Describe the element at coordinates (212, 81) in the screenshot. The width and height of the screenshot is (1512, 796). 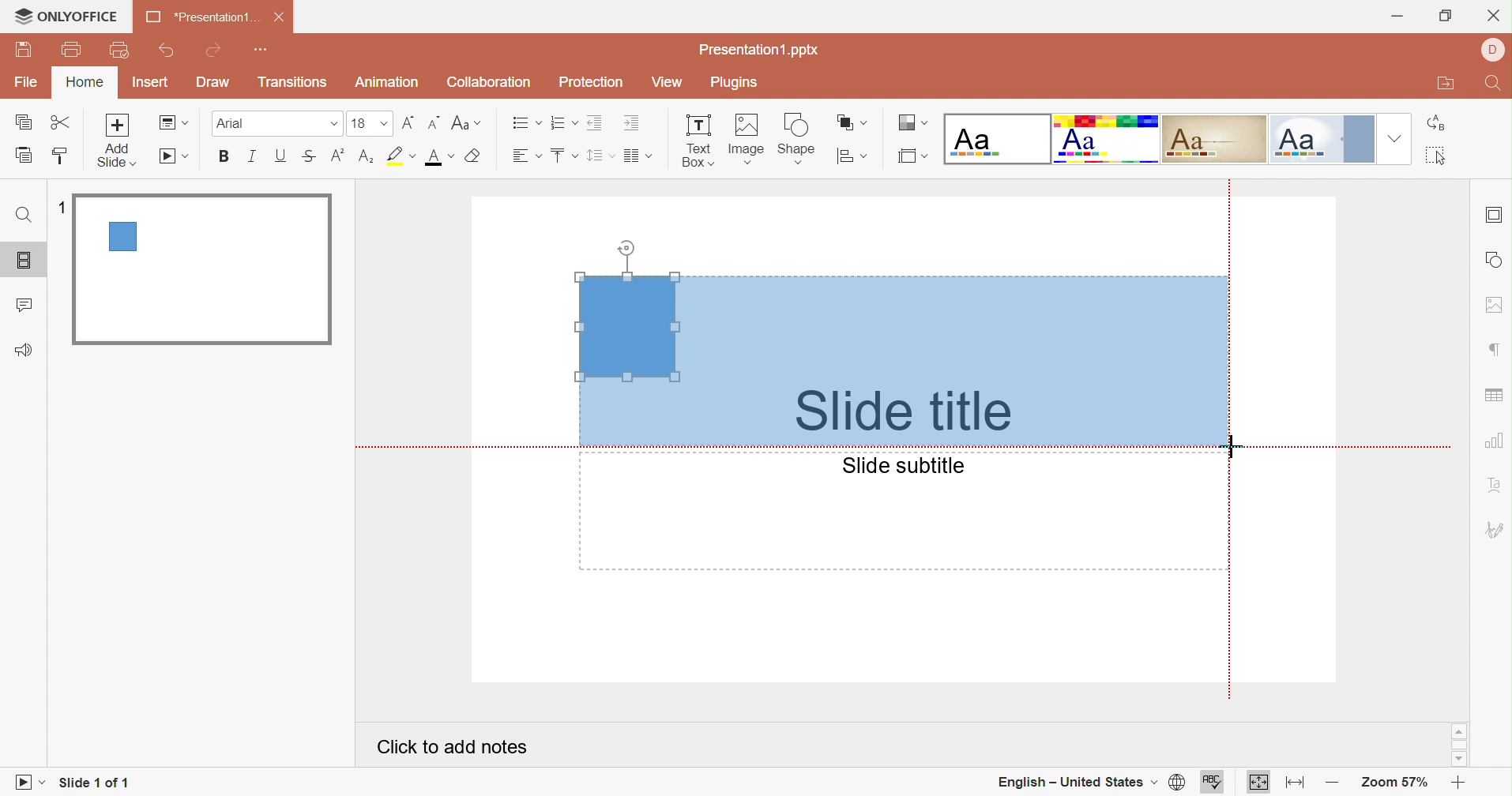
I see `Draw` at that location.